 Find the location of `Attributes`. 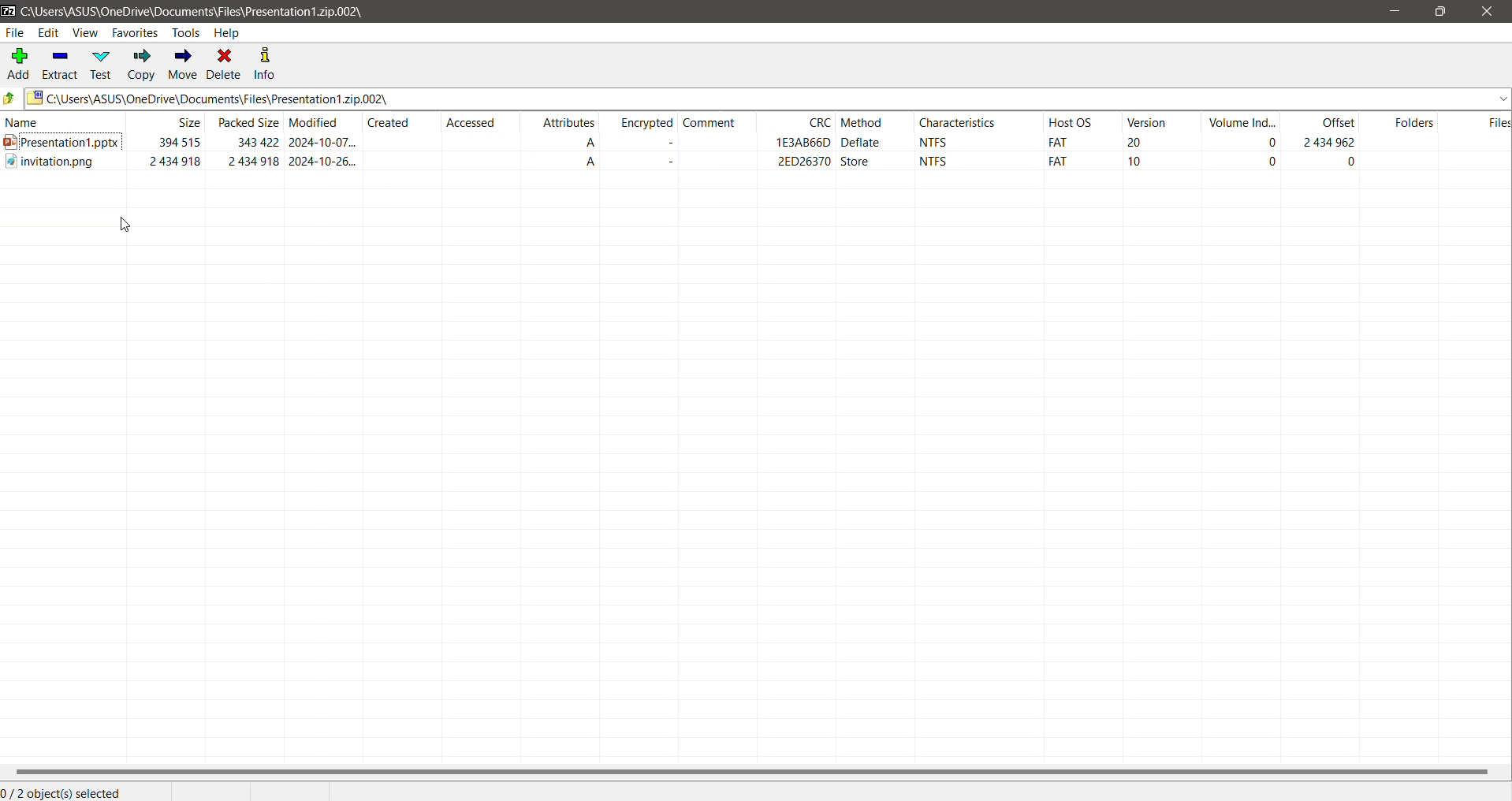

Attributes is located at coordinates (571, 121).